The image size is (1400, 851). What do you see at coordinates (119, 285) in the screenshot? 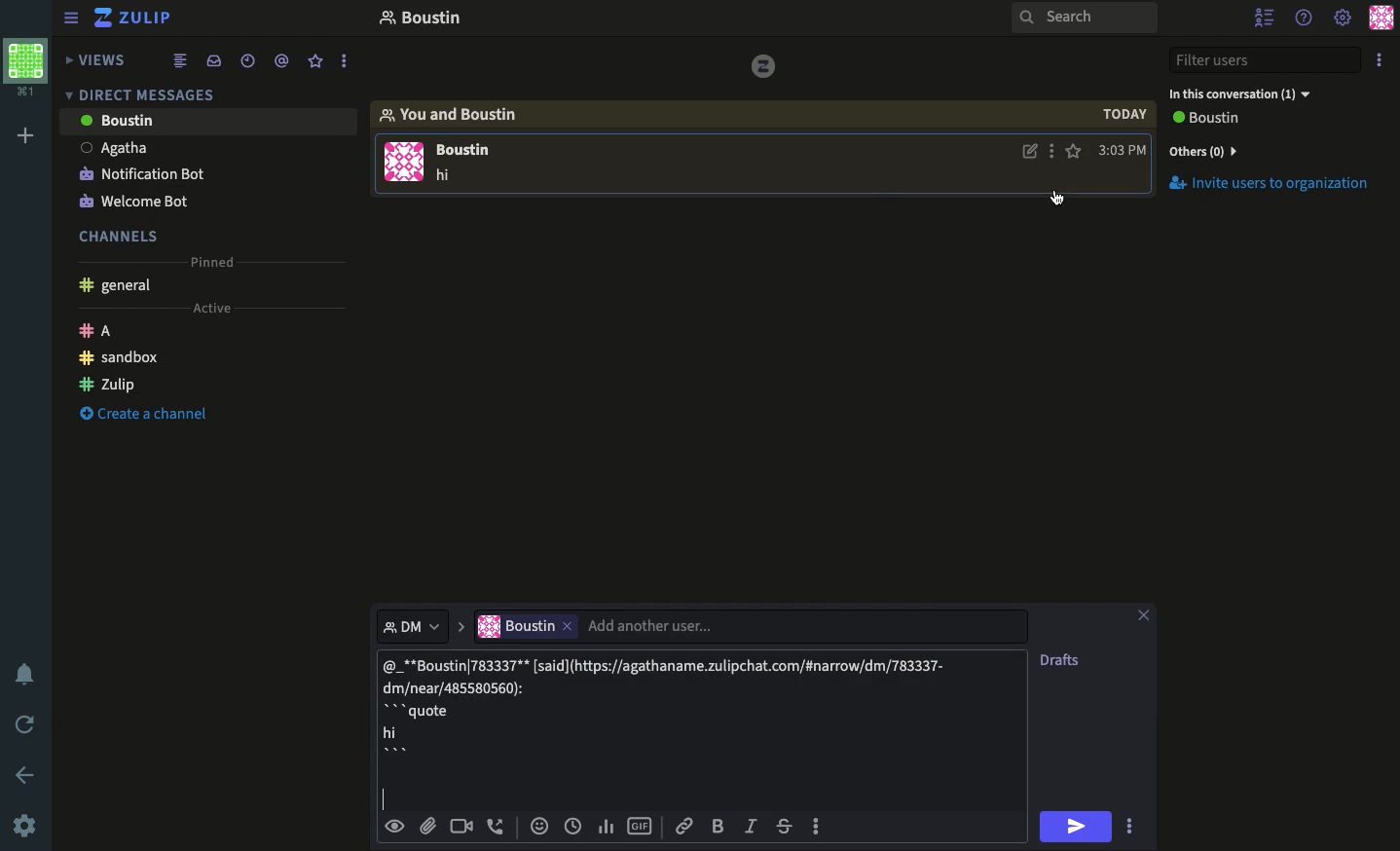
I see `General` at bounding box center [119, 285].